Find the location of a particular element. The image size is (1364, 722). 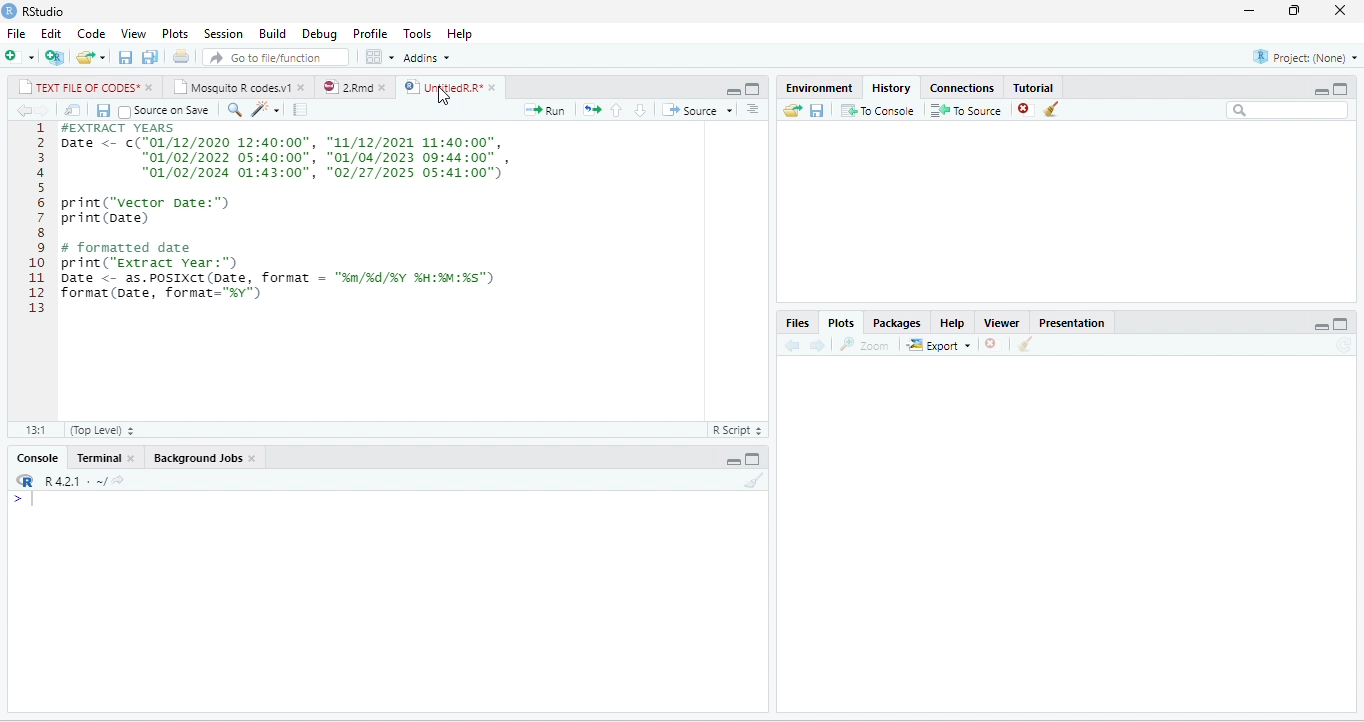

forward is located at coordinates (817, 345).